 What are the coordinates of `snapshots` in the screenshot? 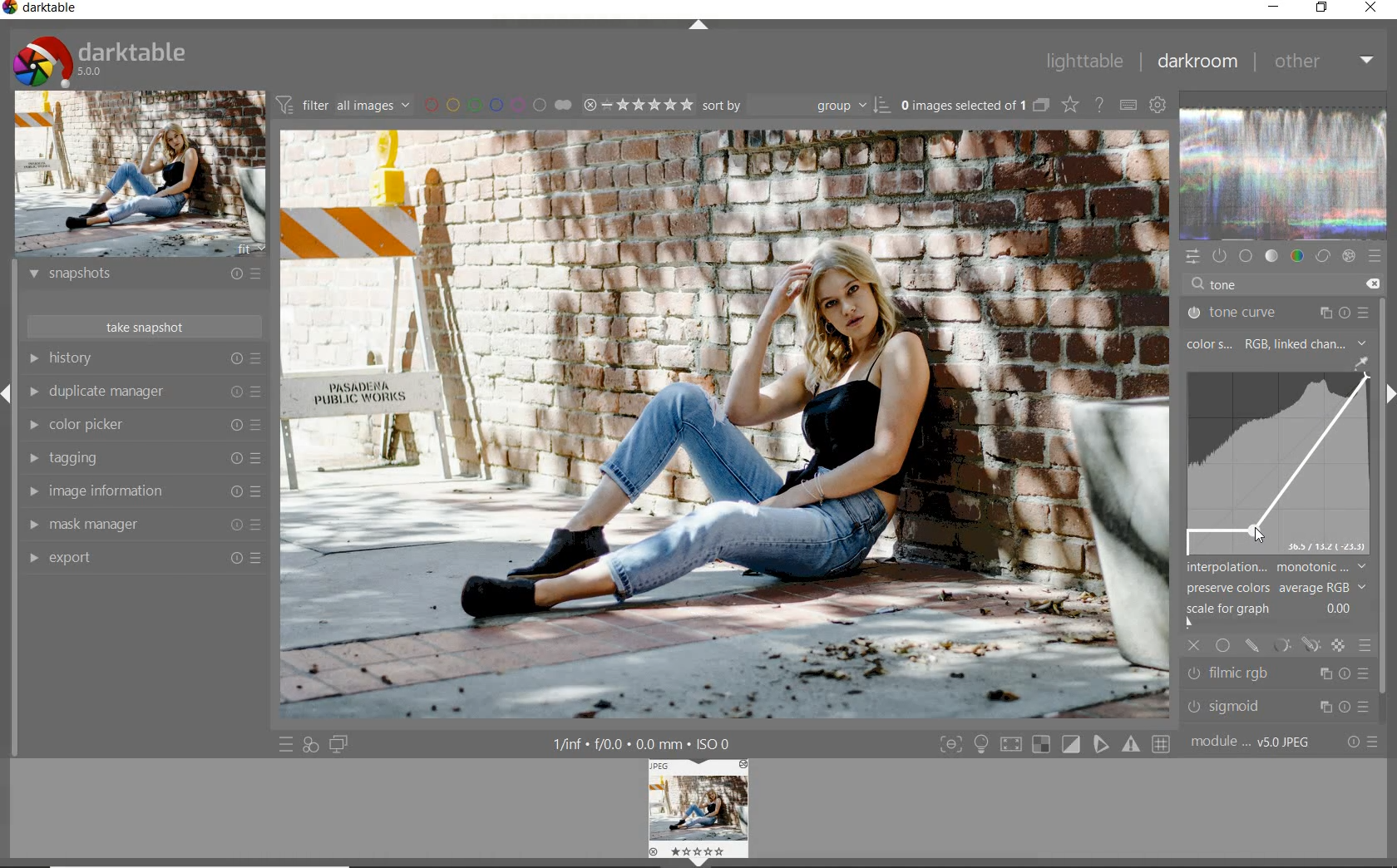 It's located at (144, 277).